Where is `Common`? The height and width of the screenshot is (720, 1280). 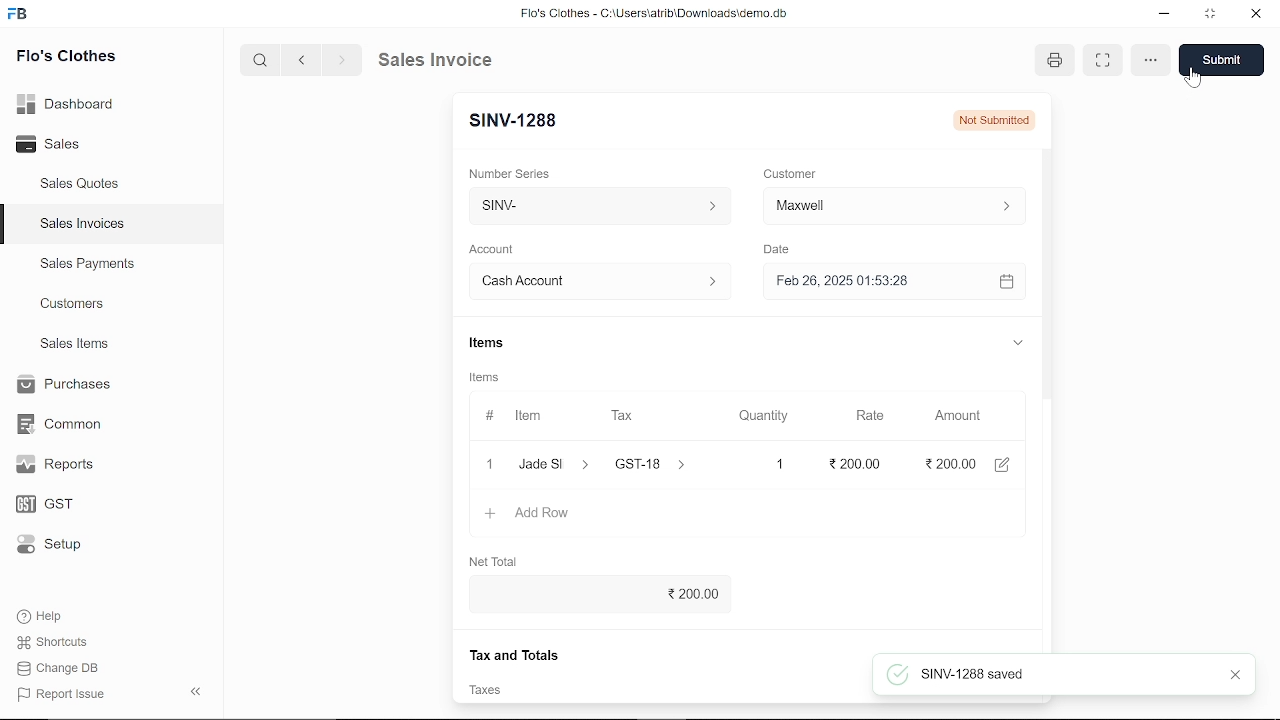
Common is located at coordinates (62, 424).